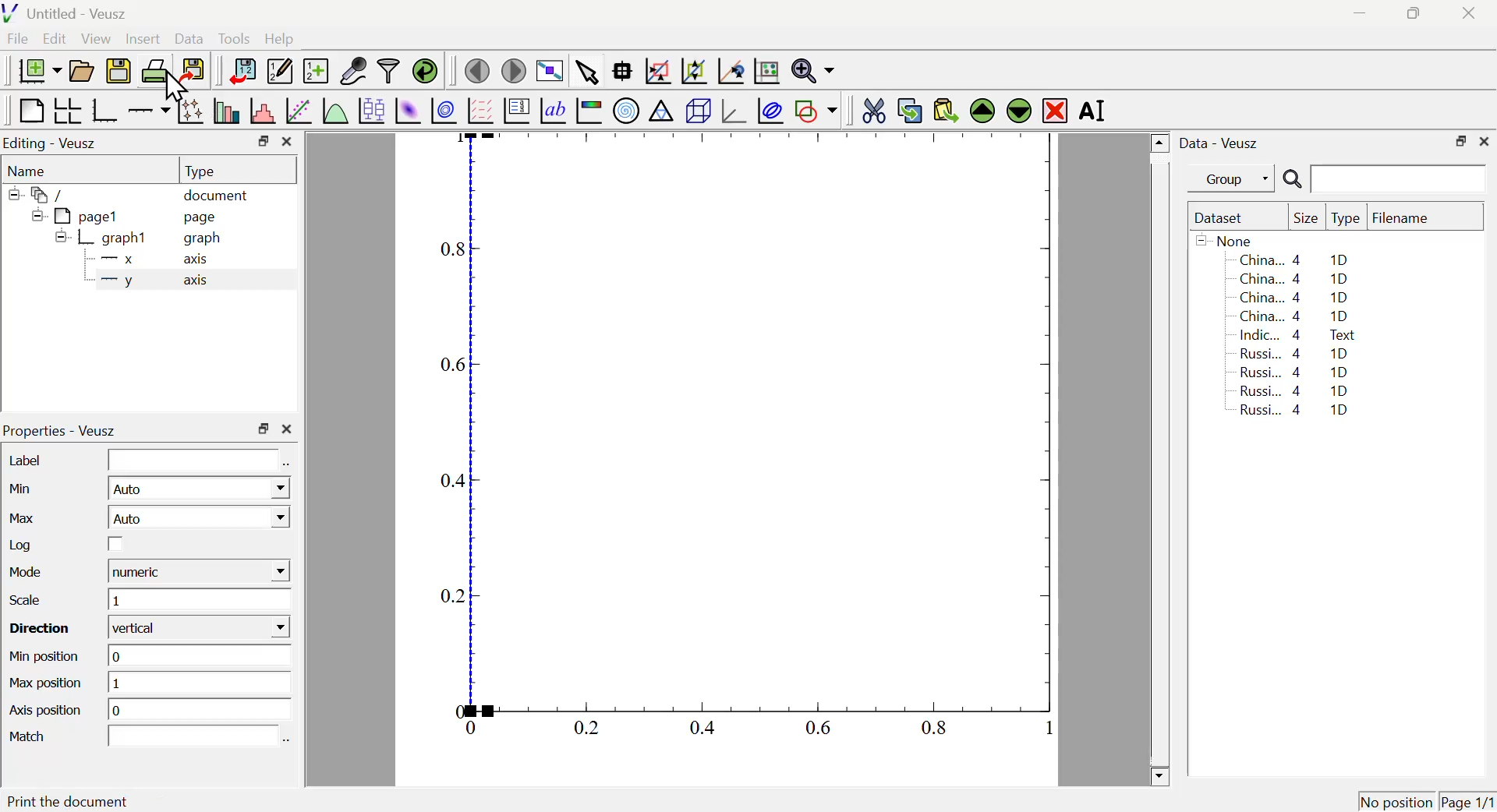  Describe the element at coordinates (95, 40) in the screenshot. I see `View` at that location.